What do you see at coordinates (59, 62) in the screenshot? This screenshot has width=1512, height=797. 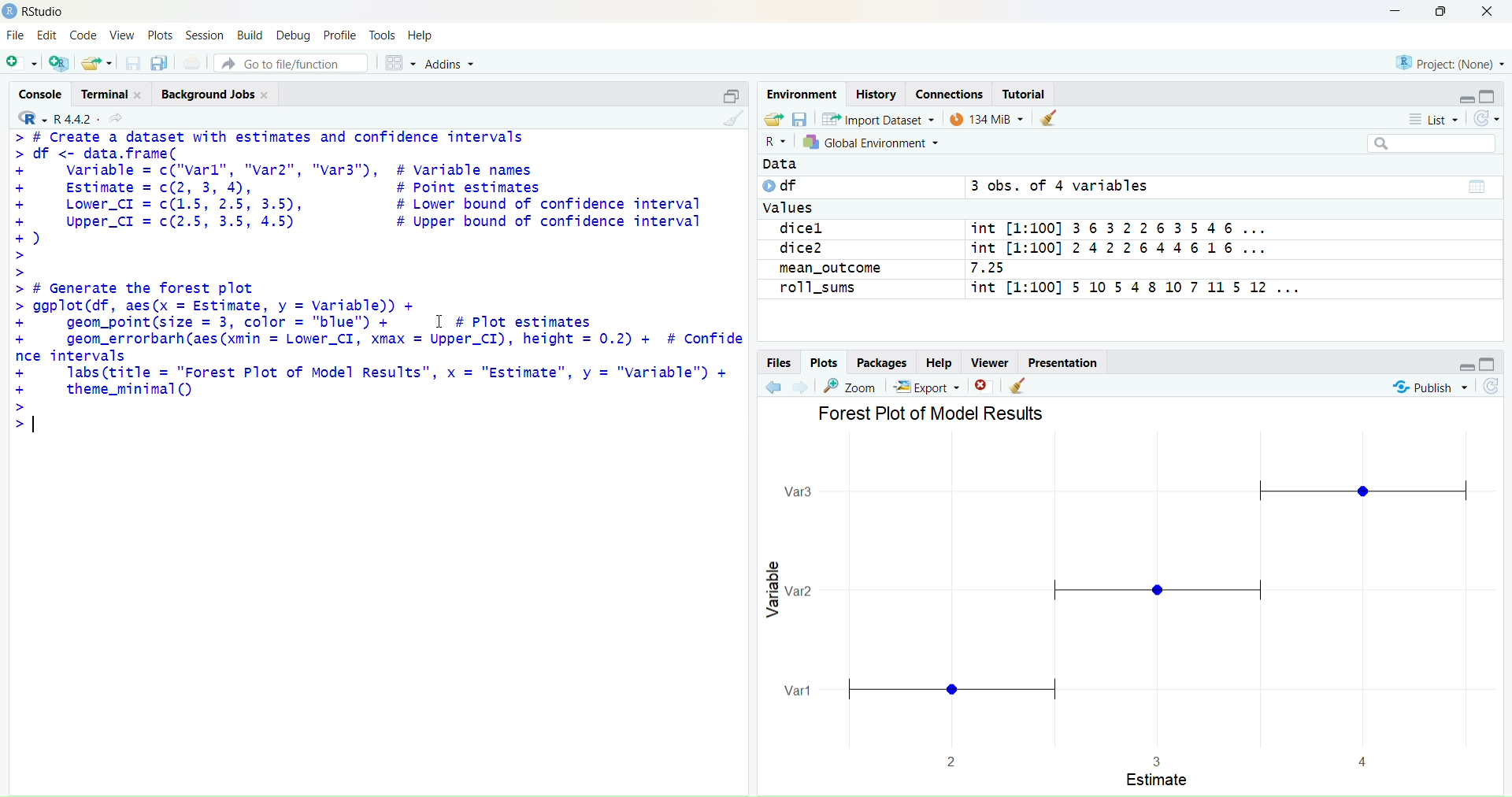 I see `create a project` at bounding box center [59, 62].